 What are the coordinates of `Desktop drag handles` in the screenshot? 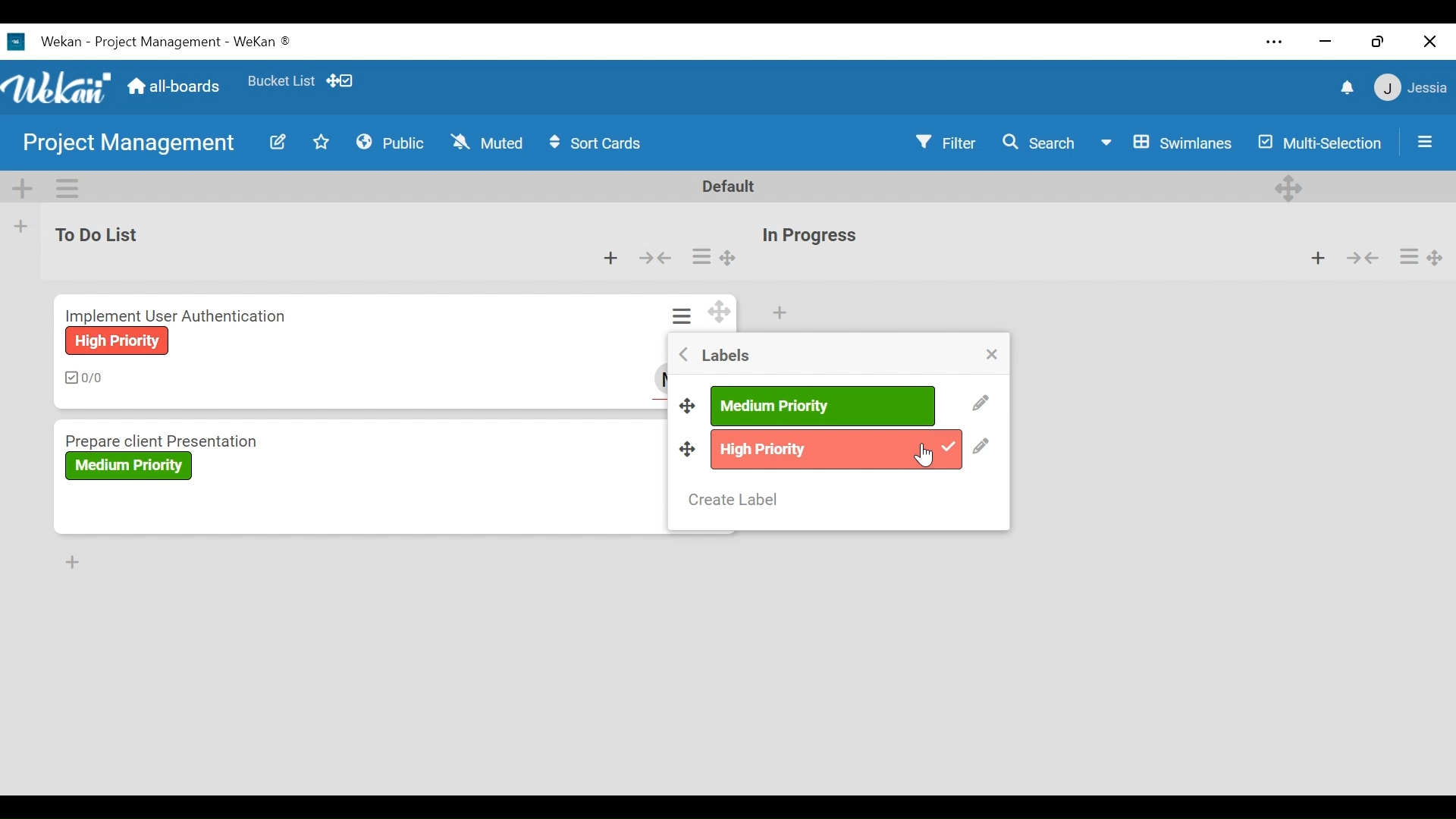 It's located at (1291, 187).